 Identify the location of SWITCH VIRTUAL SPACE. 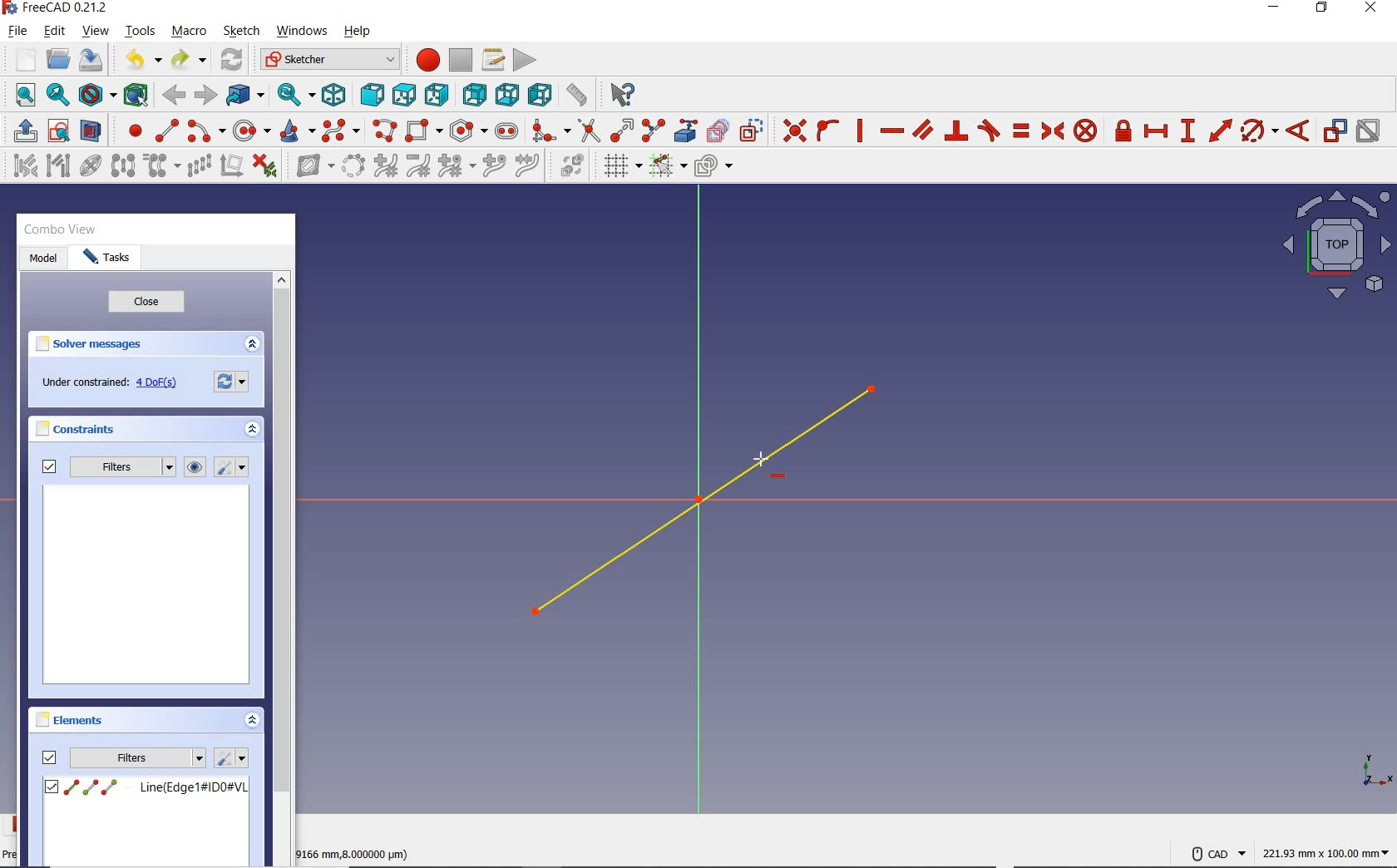
(572, 165).